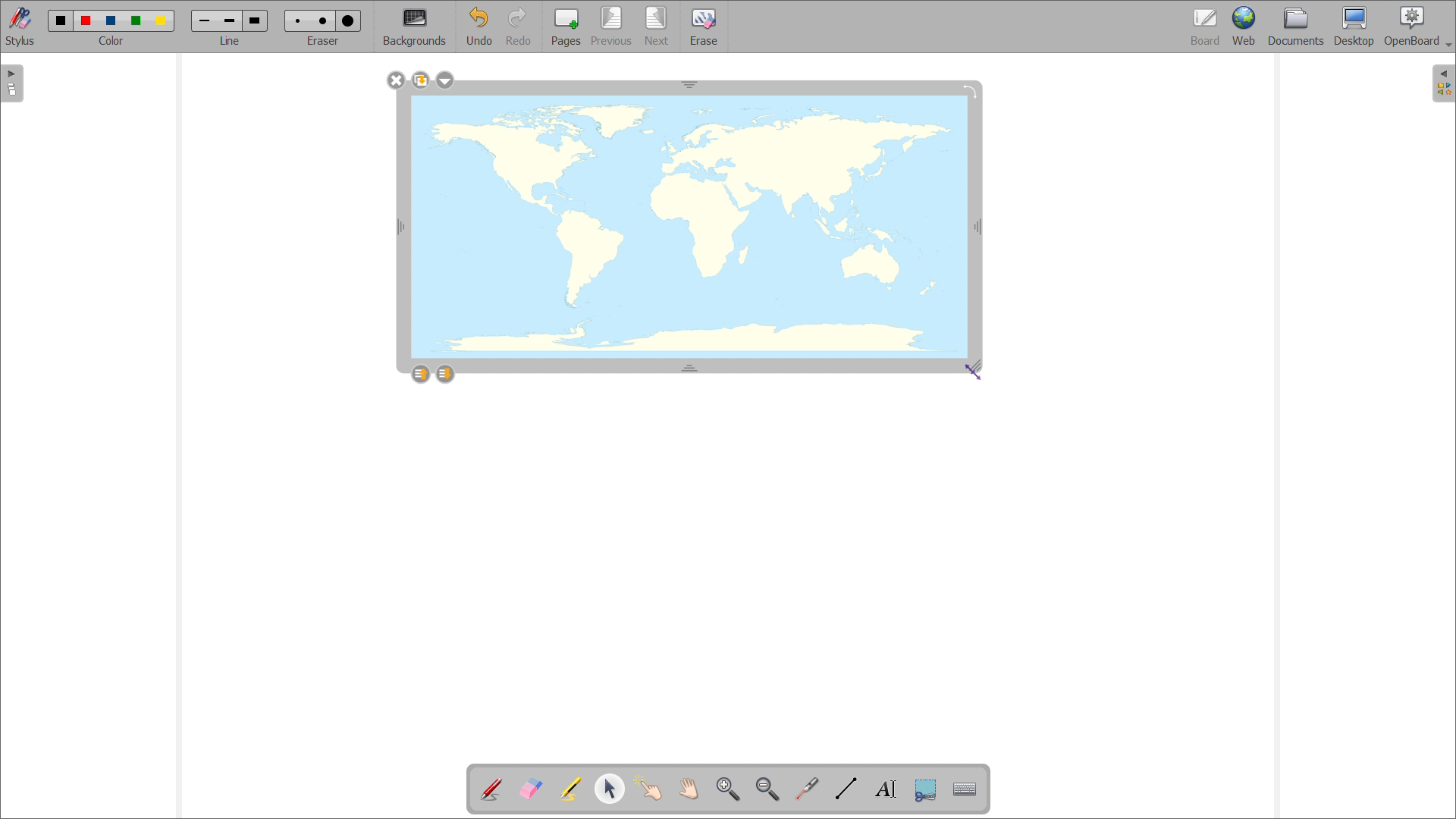 The width and height of the screenshot is (1456, 819). Describe the element at coordinates (298, 21) in the screenshot. I see `small` at that location.